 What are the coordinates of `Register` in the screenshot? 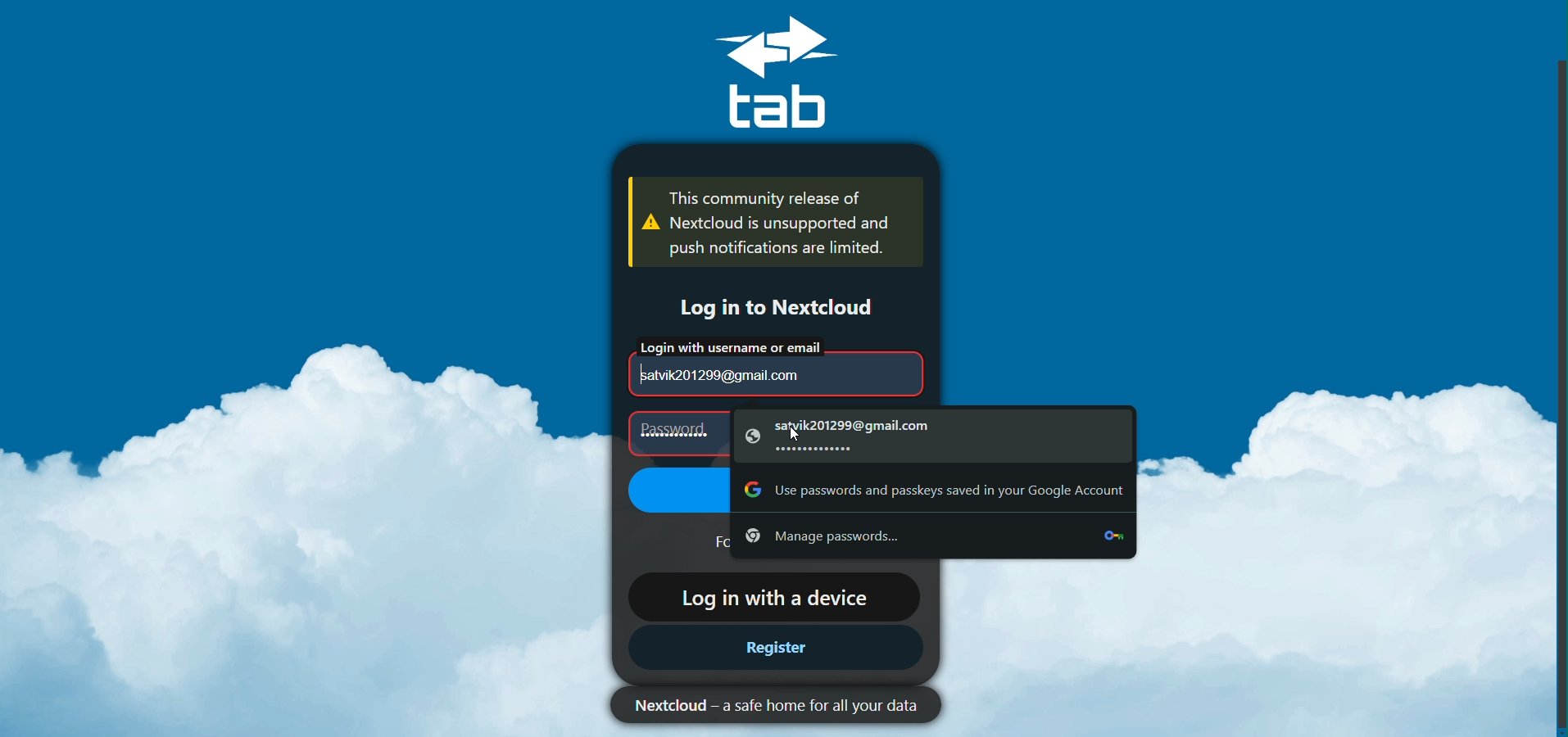 It's located at (774, 649).